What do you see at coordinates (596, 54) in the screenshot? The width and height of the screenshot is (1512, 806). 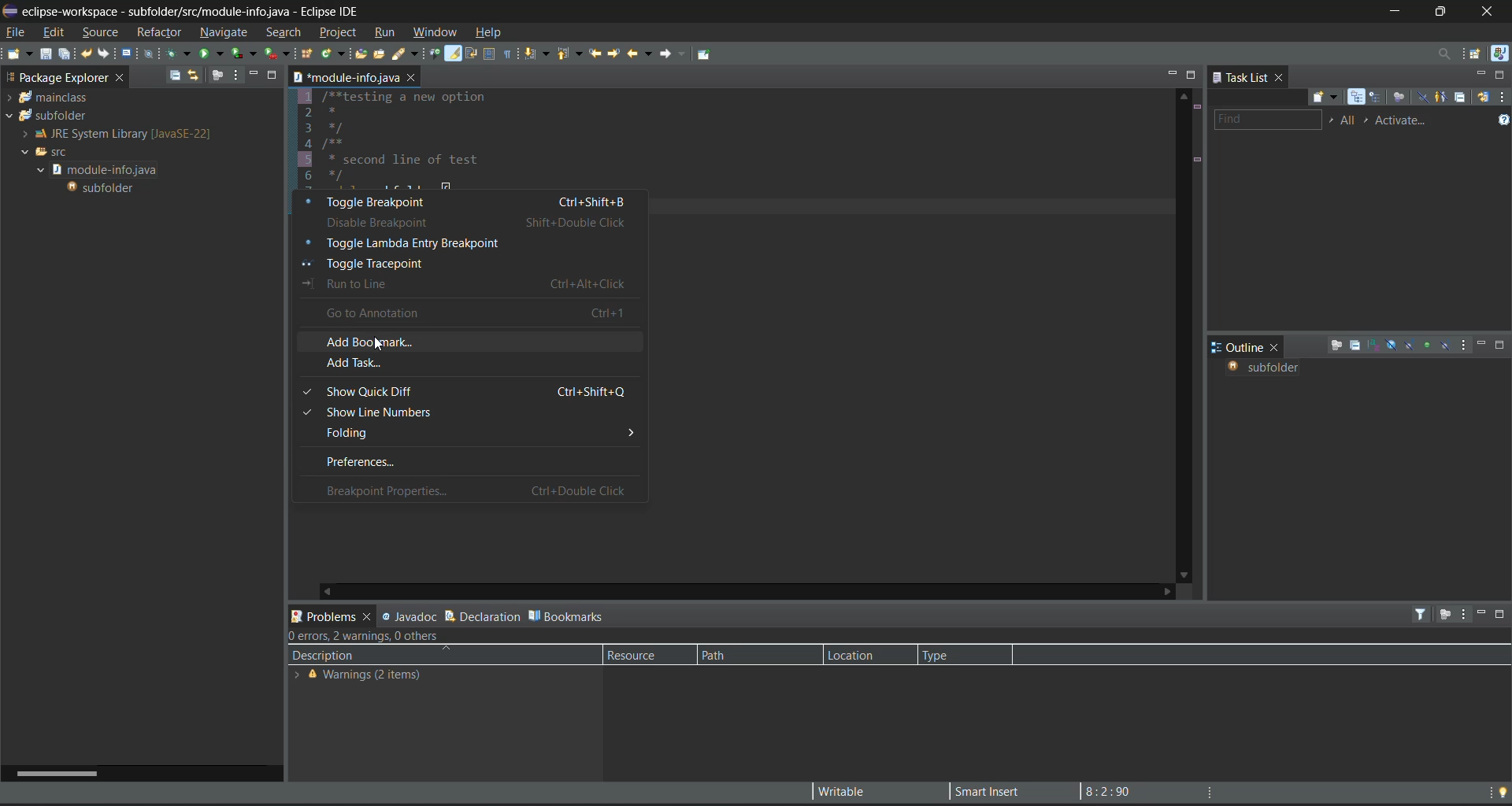 I see `previous edit location` at bounding box center [596, 54].